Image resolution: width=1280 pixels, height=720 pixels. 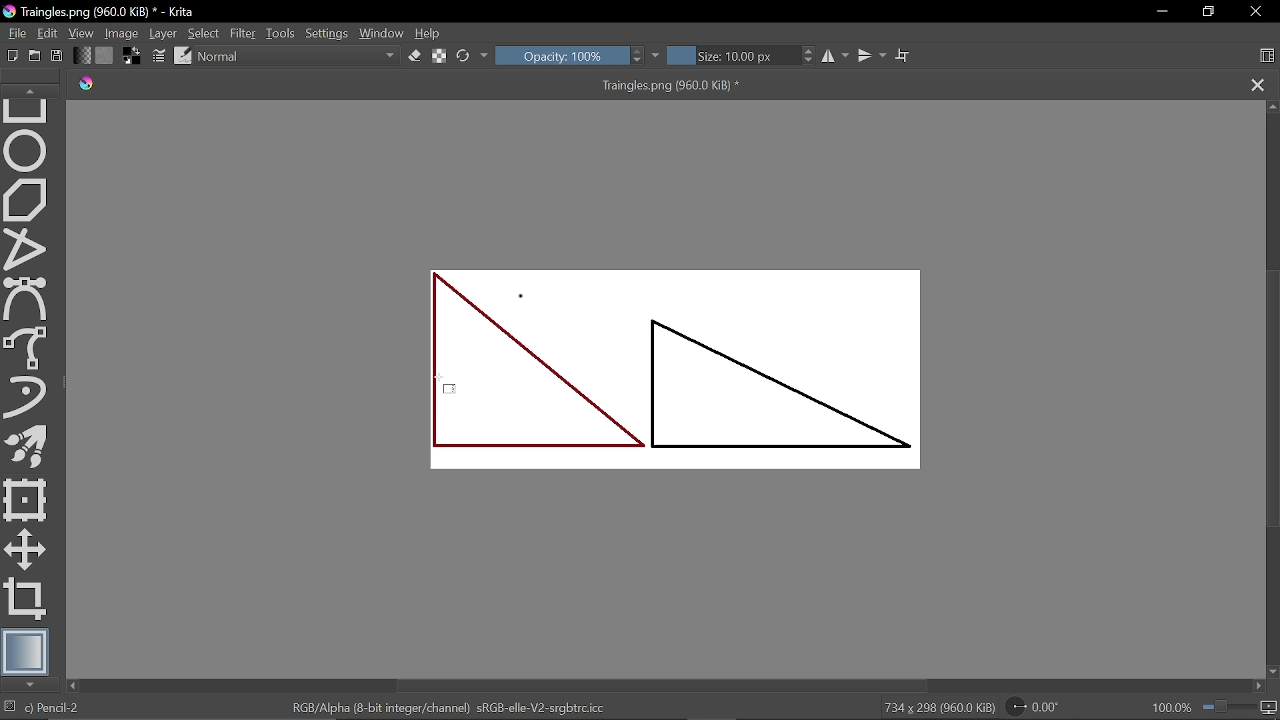 What do you see at coordinates (37, 55) in the screenshot?
I see `Open document` at bounding box center [37, 55].